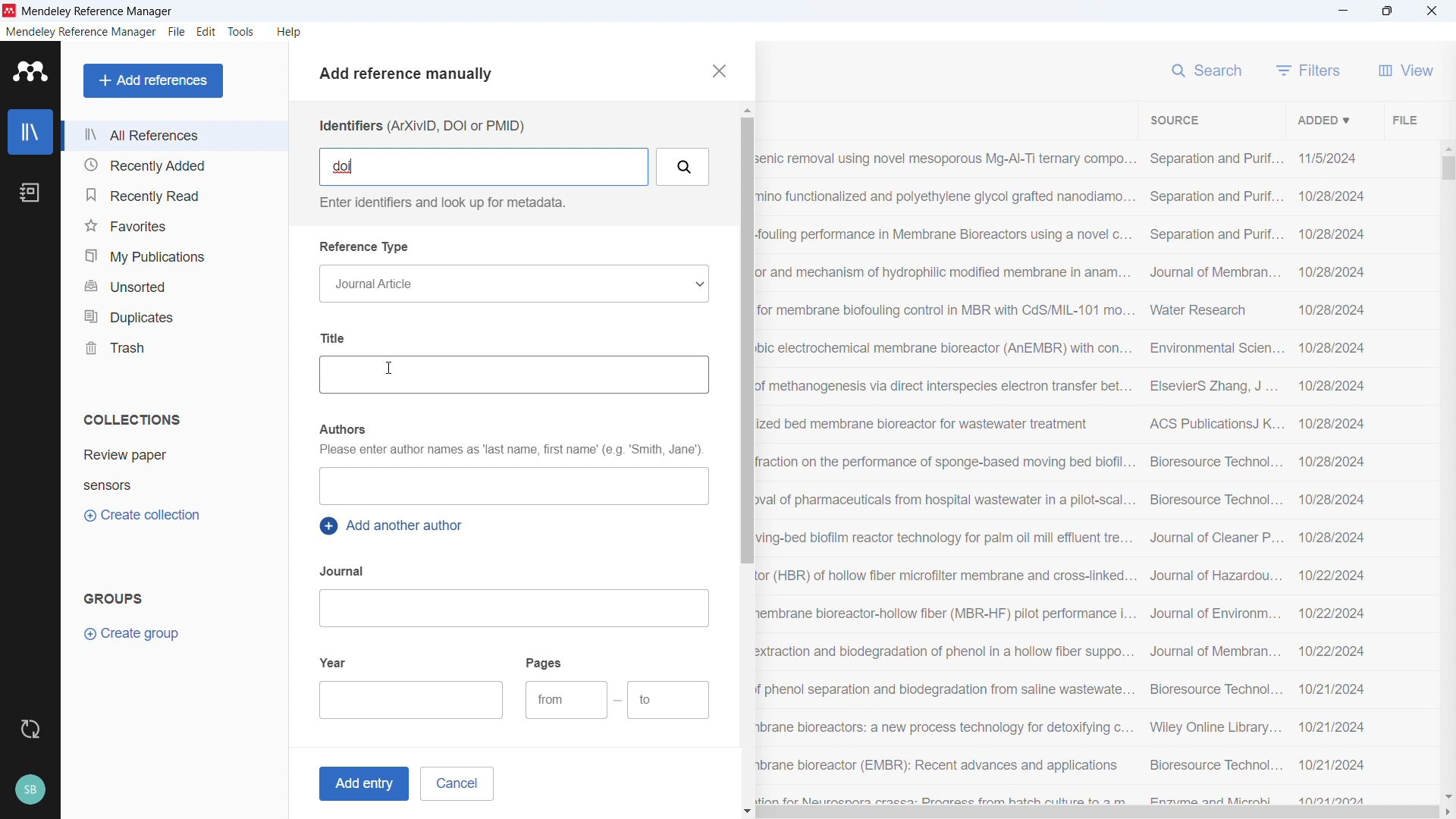  Describe the element at coordinates (1406, 70) in the screenshot. I see `View ` at that location.